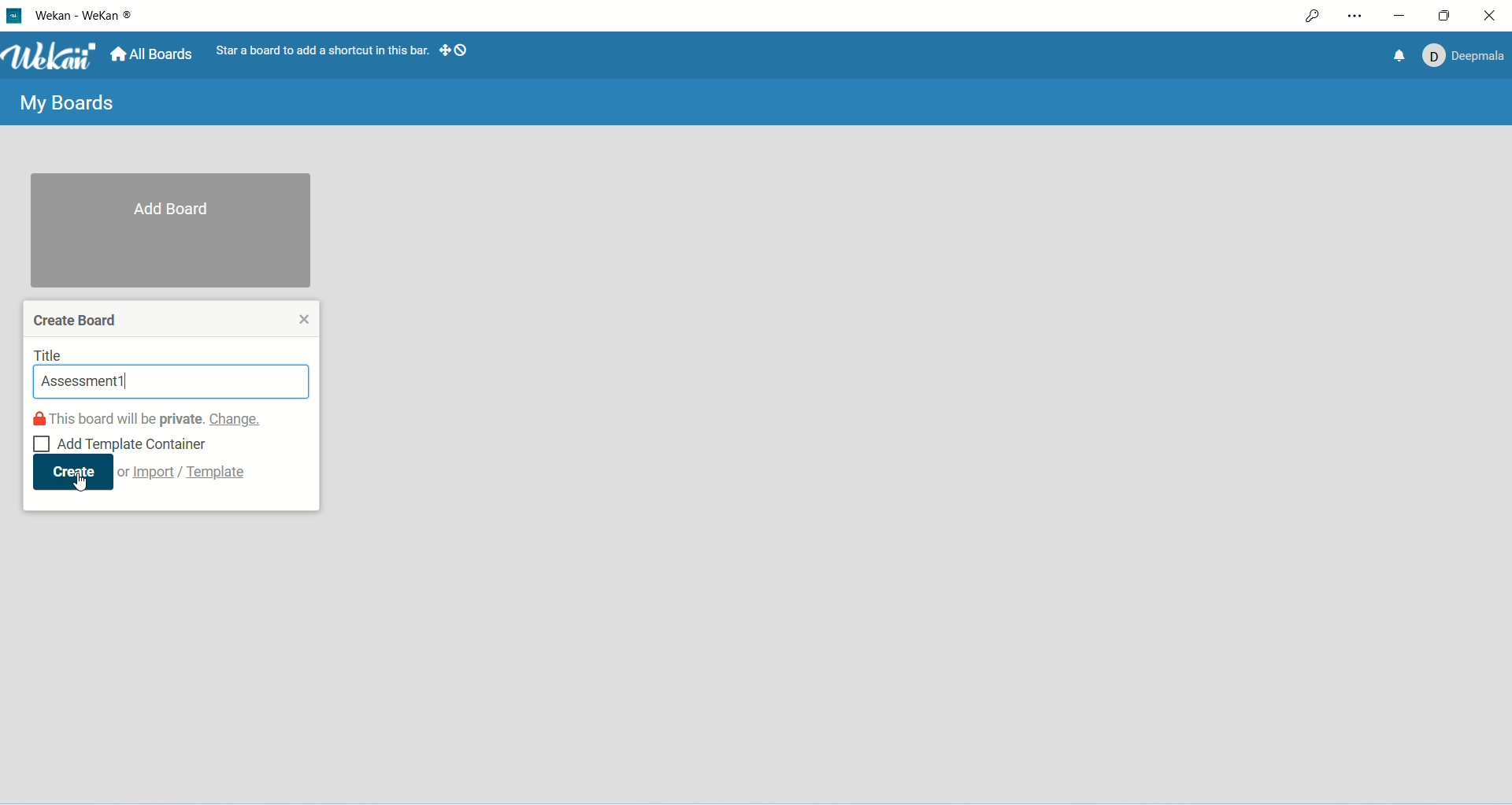 This screenshot has width=1512, height=805. What do you see at coordinates (54, 354) in the screenshot?
I see `title` at bounding box center [54, 354].